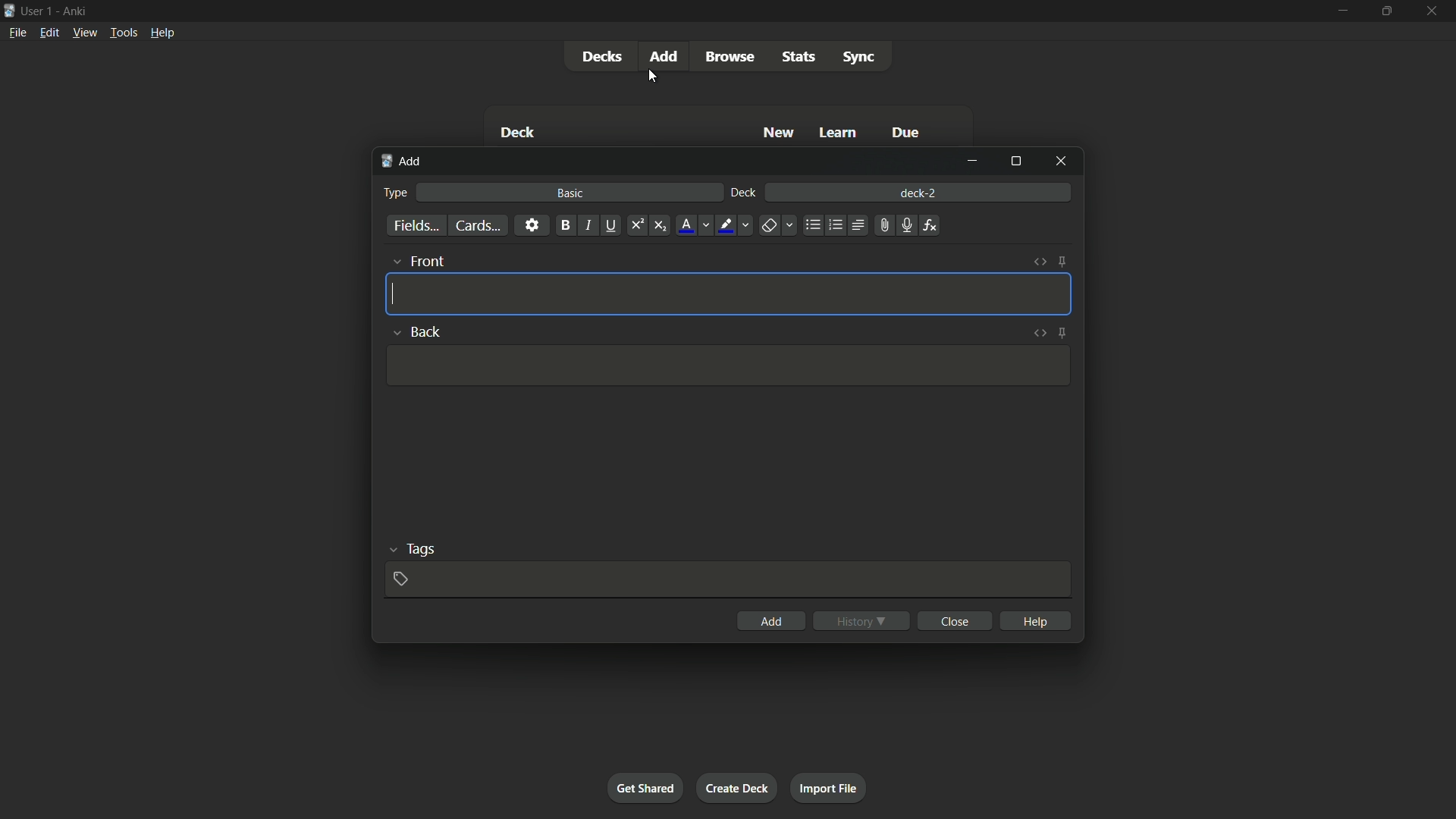 The image size is (1456, 819). I want to click on user 1, so click(39, 13).